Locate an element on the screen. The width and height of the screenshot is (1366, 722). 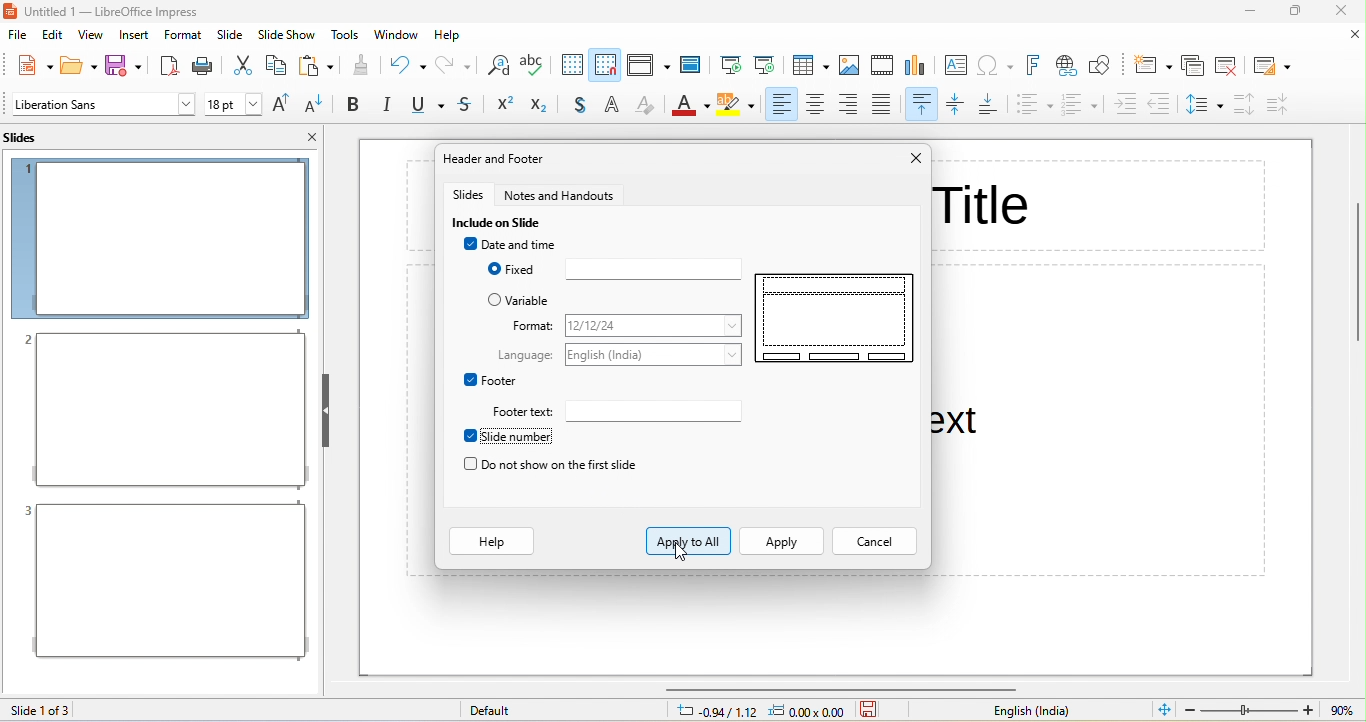
spelling is located at coordinates (534, 67).